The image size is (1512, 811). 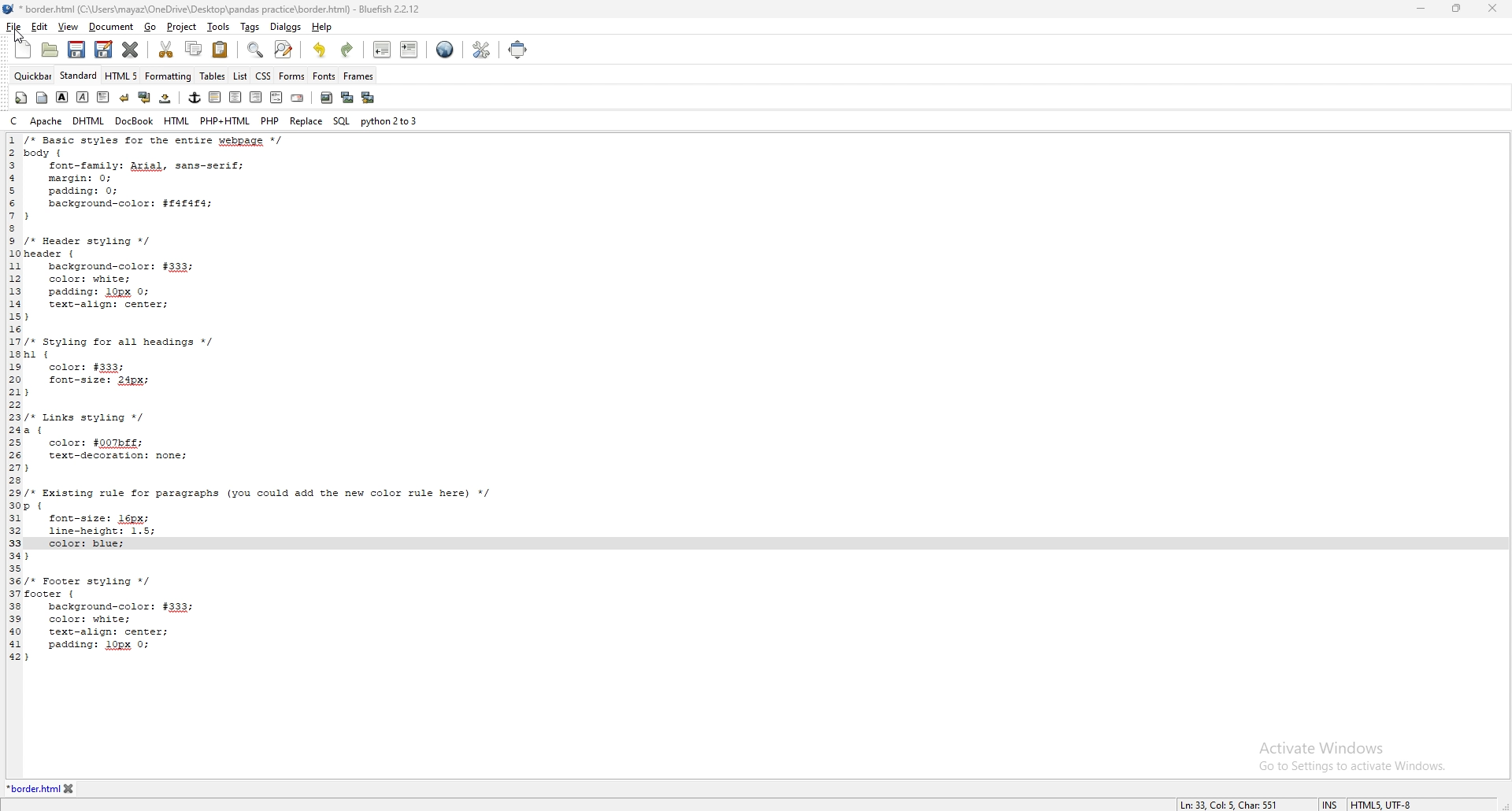 What do you see at coordinates (1366, 804) in the screenshot?
I see `INS HTML5, UTF-8` at bounding box center [1366, 804].